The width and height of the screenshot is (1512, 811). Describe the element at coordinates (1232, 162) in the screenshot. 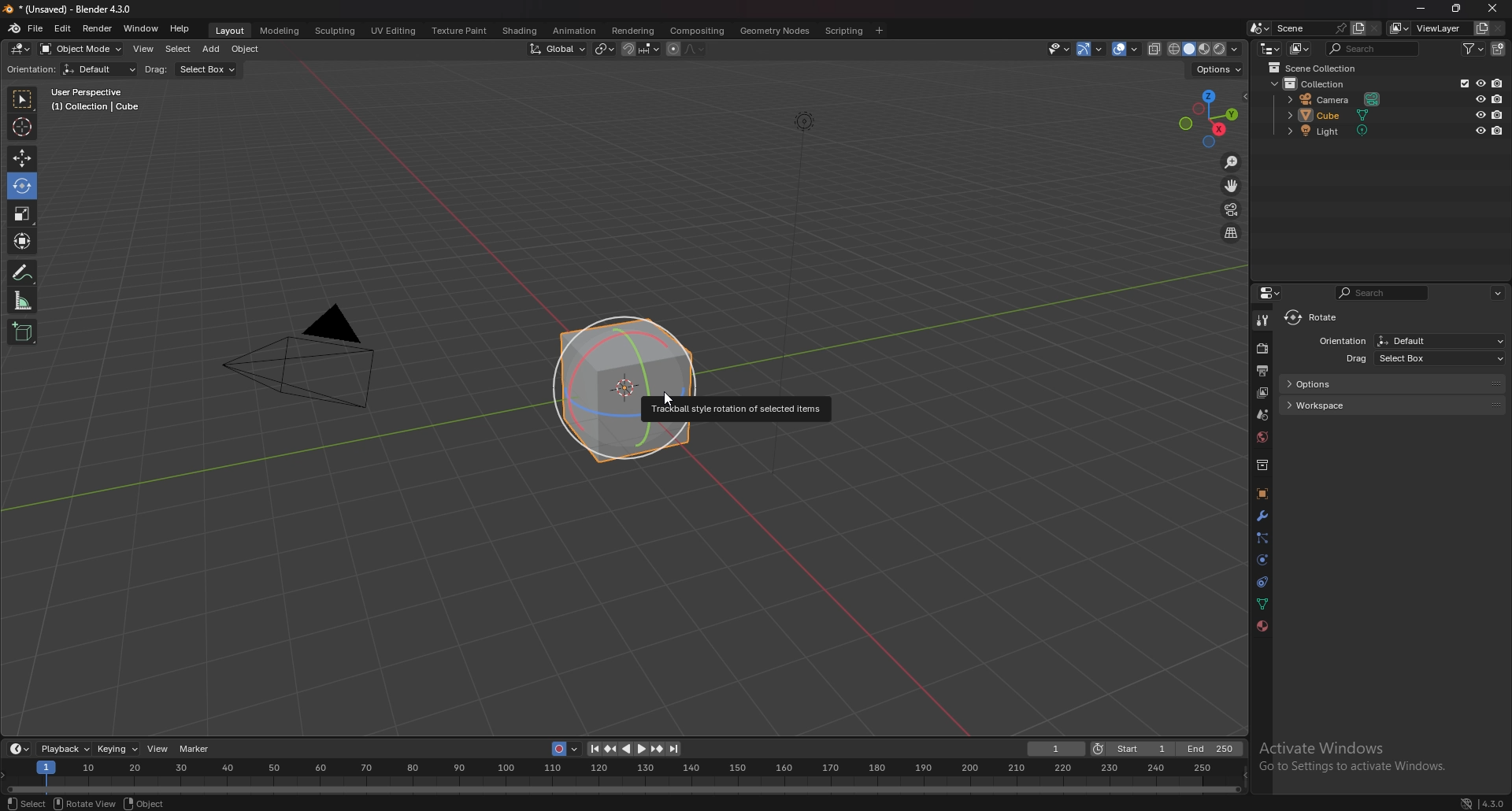

I see `zoom` at that location.